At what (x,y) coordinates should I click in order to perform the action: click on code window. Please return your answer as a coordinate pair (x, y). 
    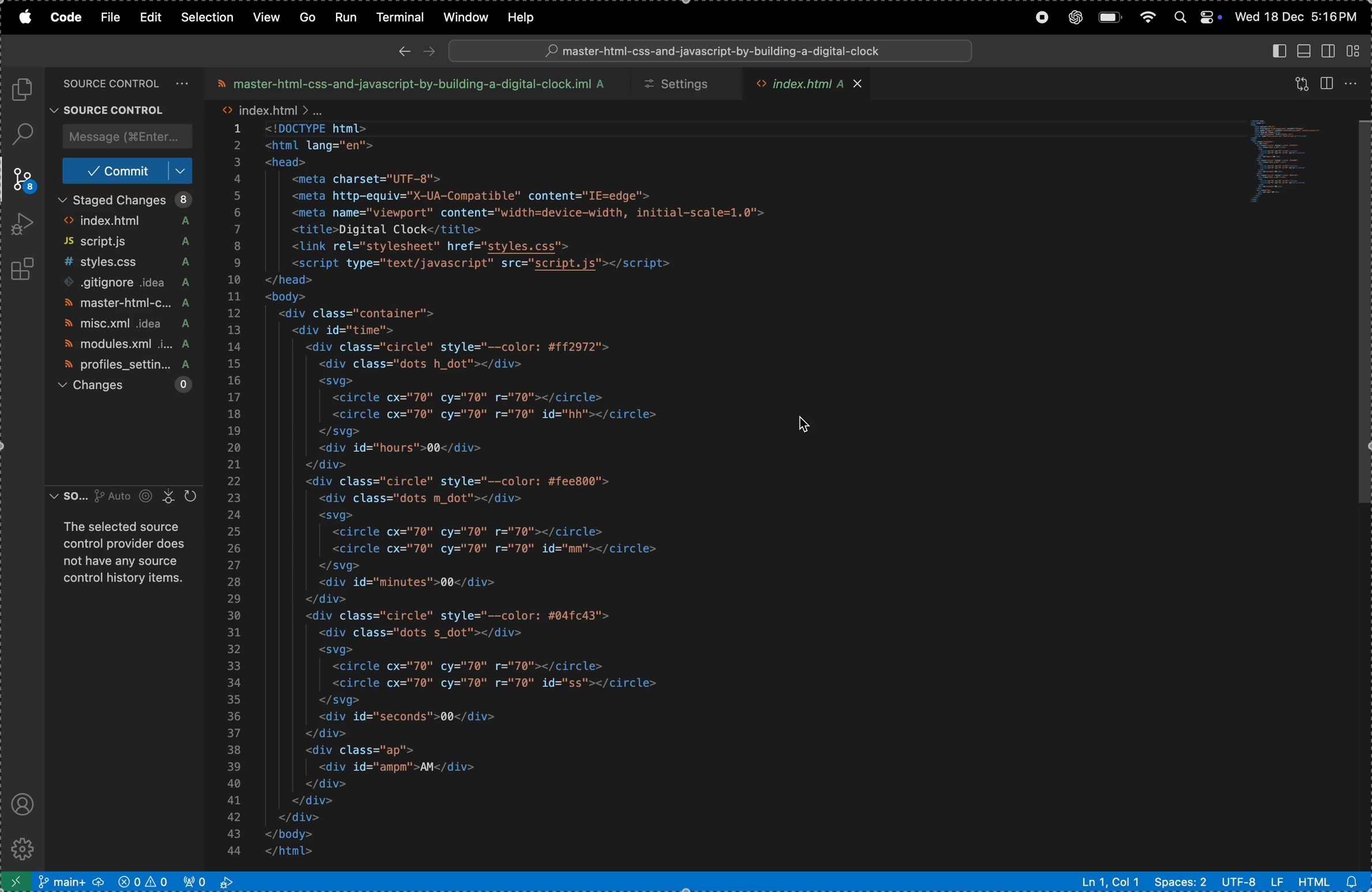
    Looking at the image, I should click on (1281, 159).